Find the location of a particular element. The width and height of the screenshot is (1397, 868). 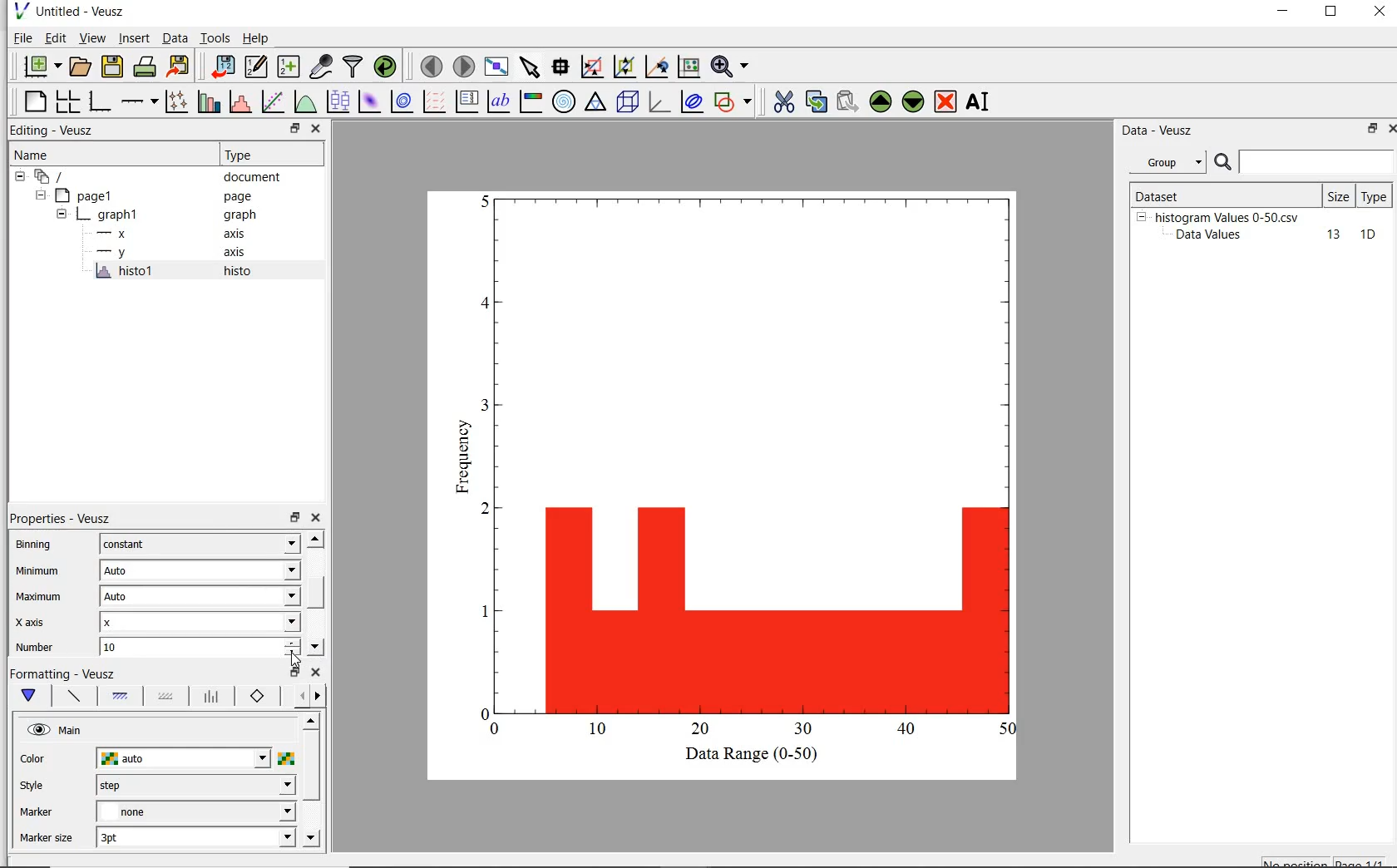

|Formatting - Veusz is located at coordinates (64, 673).